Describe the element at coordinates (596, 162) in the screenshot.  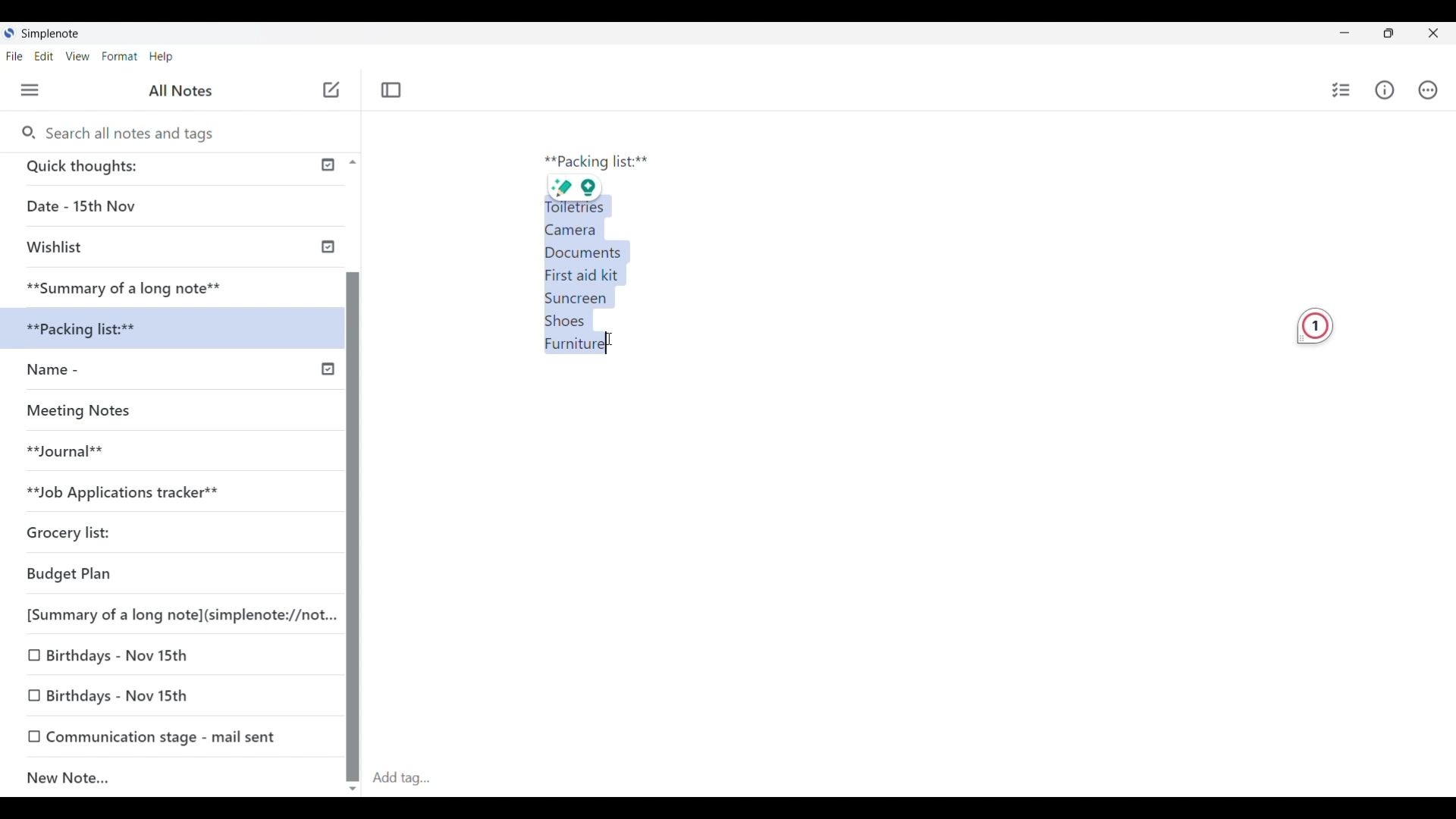
I see `Packing list` at that location.